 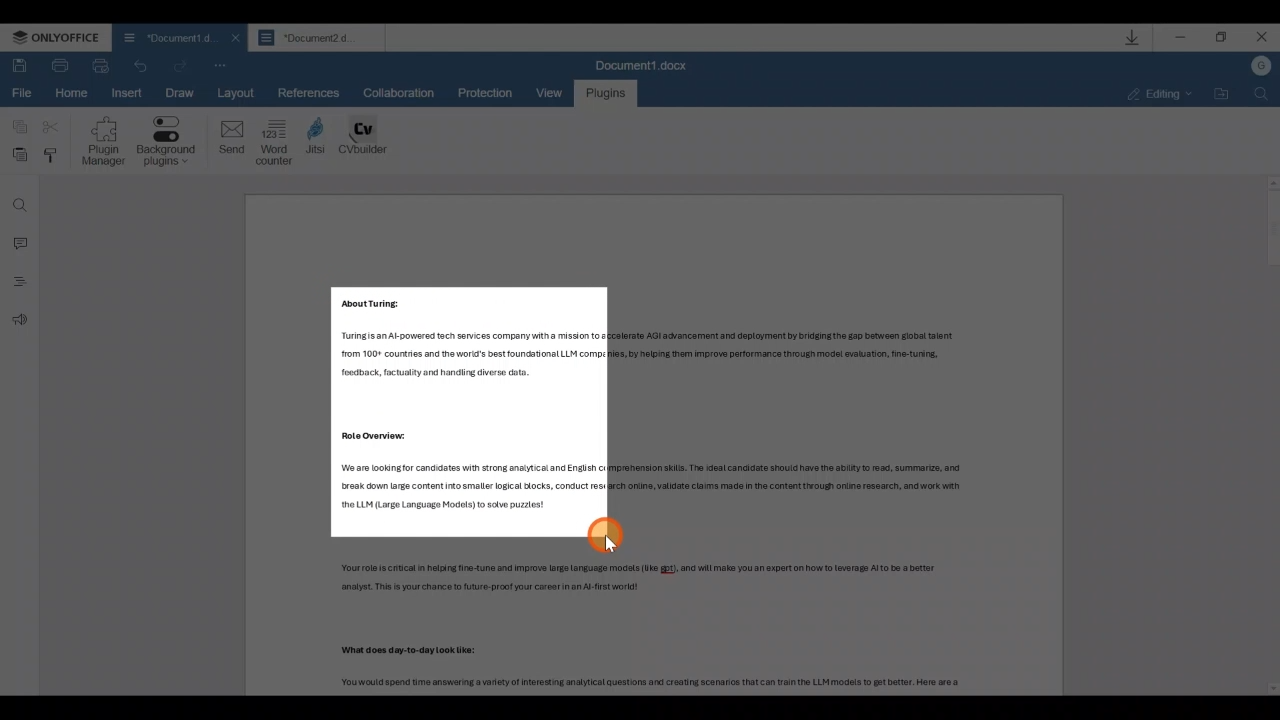 What do you see at coordinates (17, 156) in the screenshot?
I see `Paste` at bounding box center [17, 156].